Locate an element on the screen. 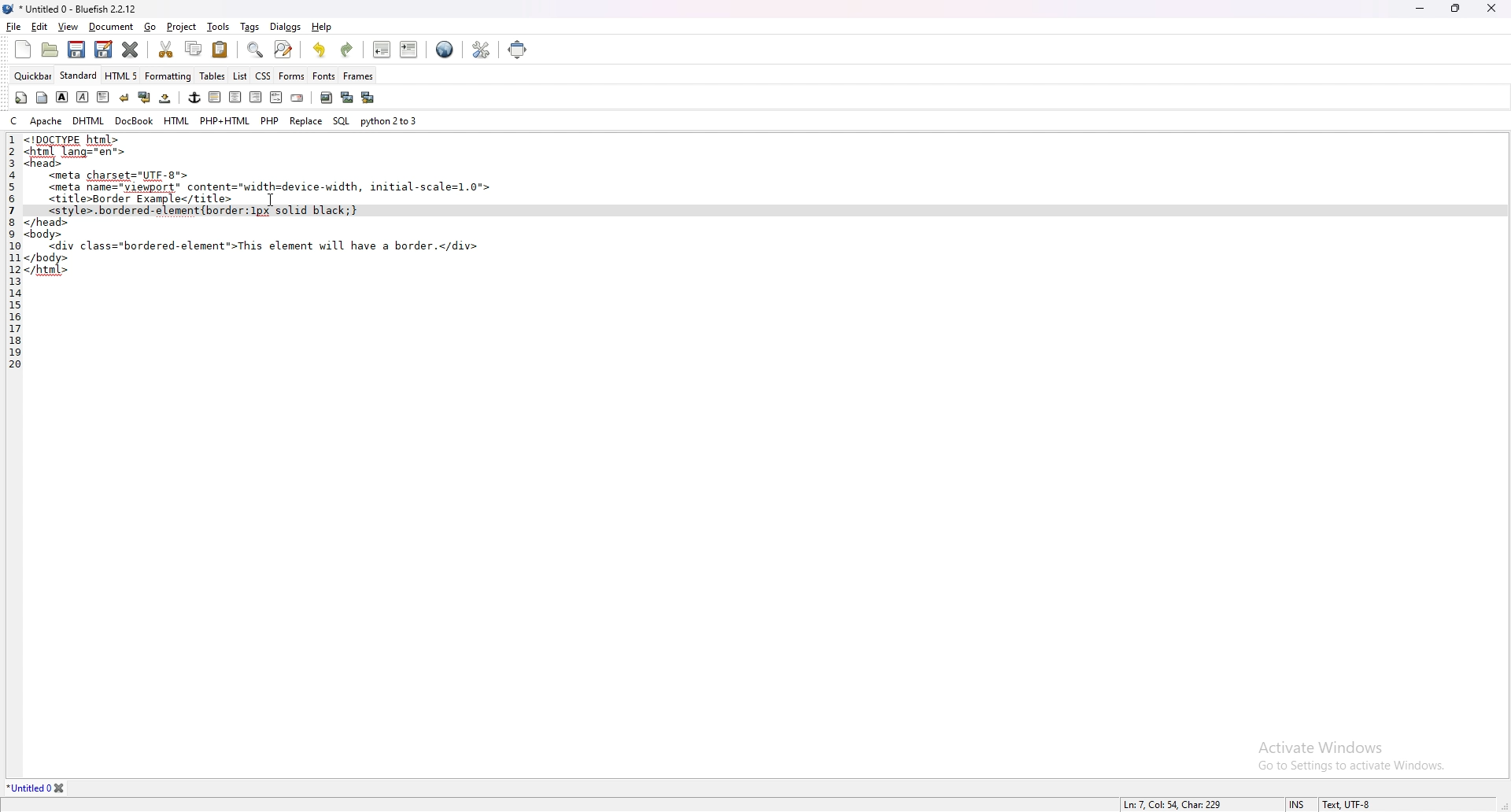 This screenshot has width=1511, height=812. Cursor is located at coordinates (270, 200).